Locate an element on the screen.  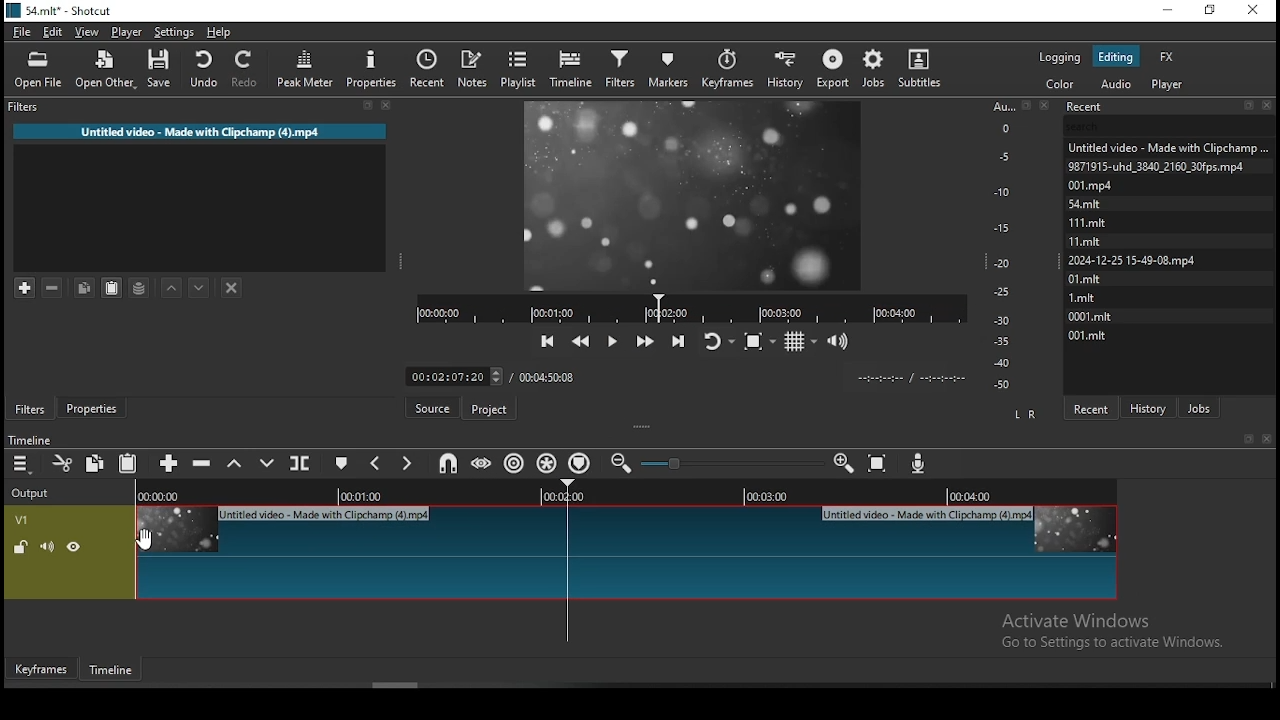
Detach is located at coordinates (1027, 105).